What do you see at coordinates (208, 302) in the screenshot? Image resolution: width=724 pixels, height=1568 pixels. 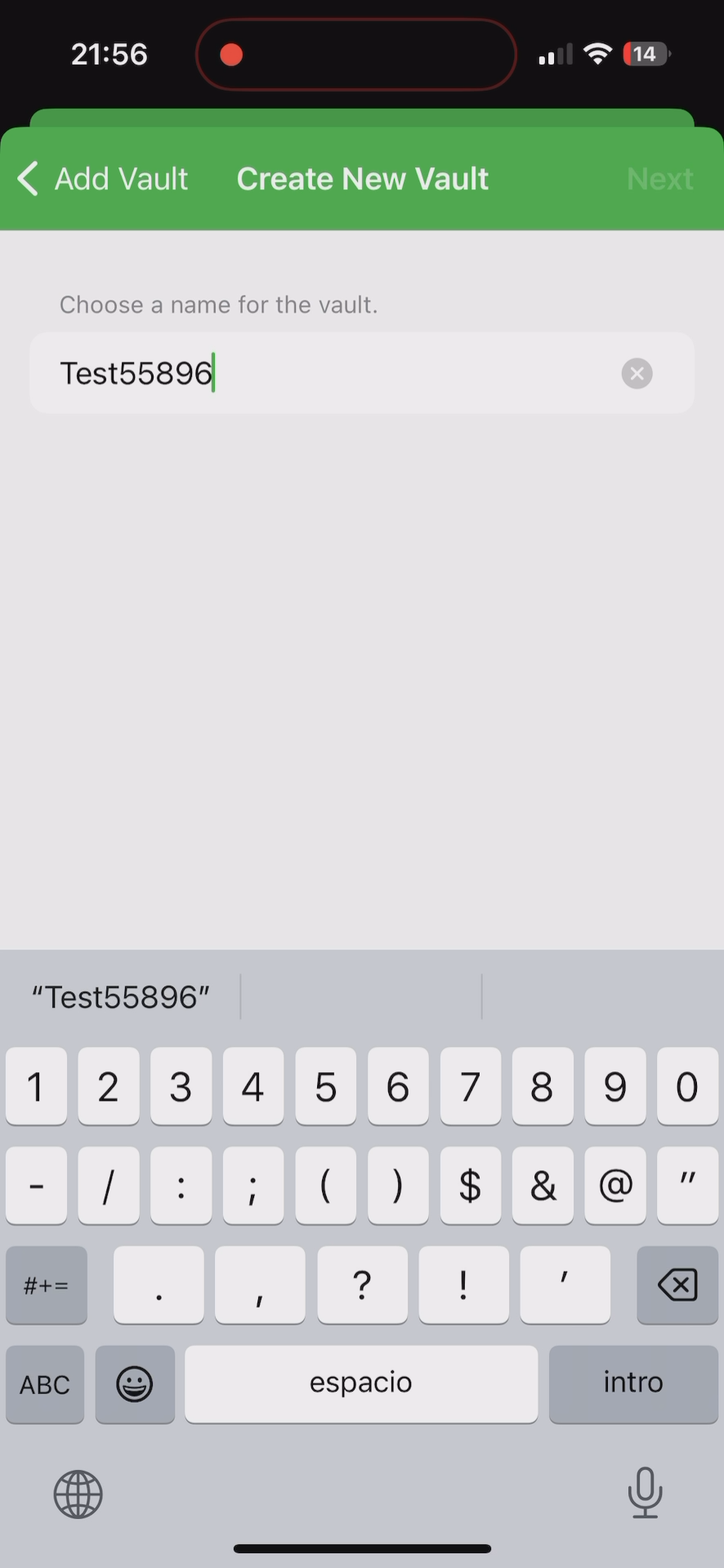 I see `choose a name for the vault` at bounding box center [208, 302].